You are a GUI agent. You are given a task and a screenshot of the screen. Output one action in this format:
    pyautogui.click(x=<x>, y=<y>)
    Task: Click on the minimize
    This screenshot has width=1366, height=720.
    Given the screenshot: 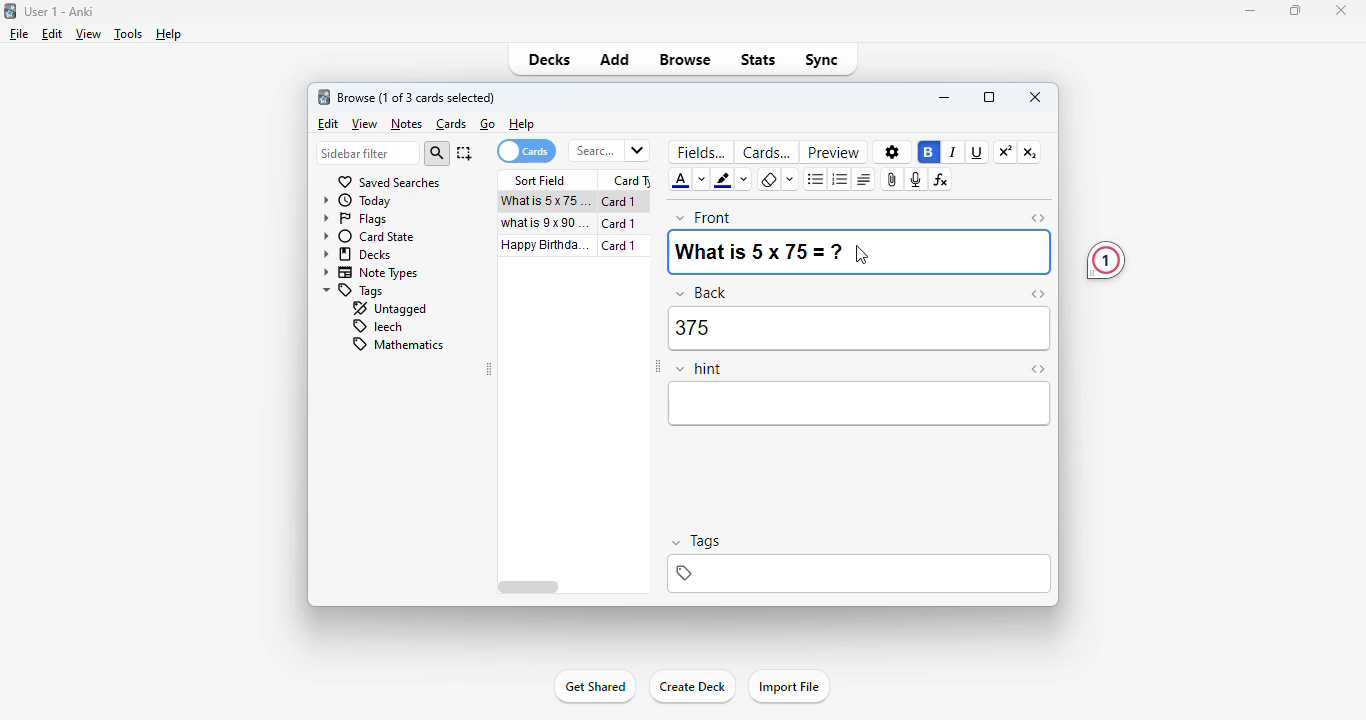 What is the action you would take?
    pyautogui.click(x=1250, y=11)
    